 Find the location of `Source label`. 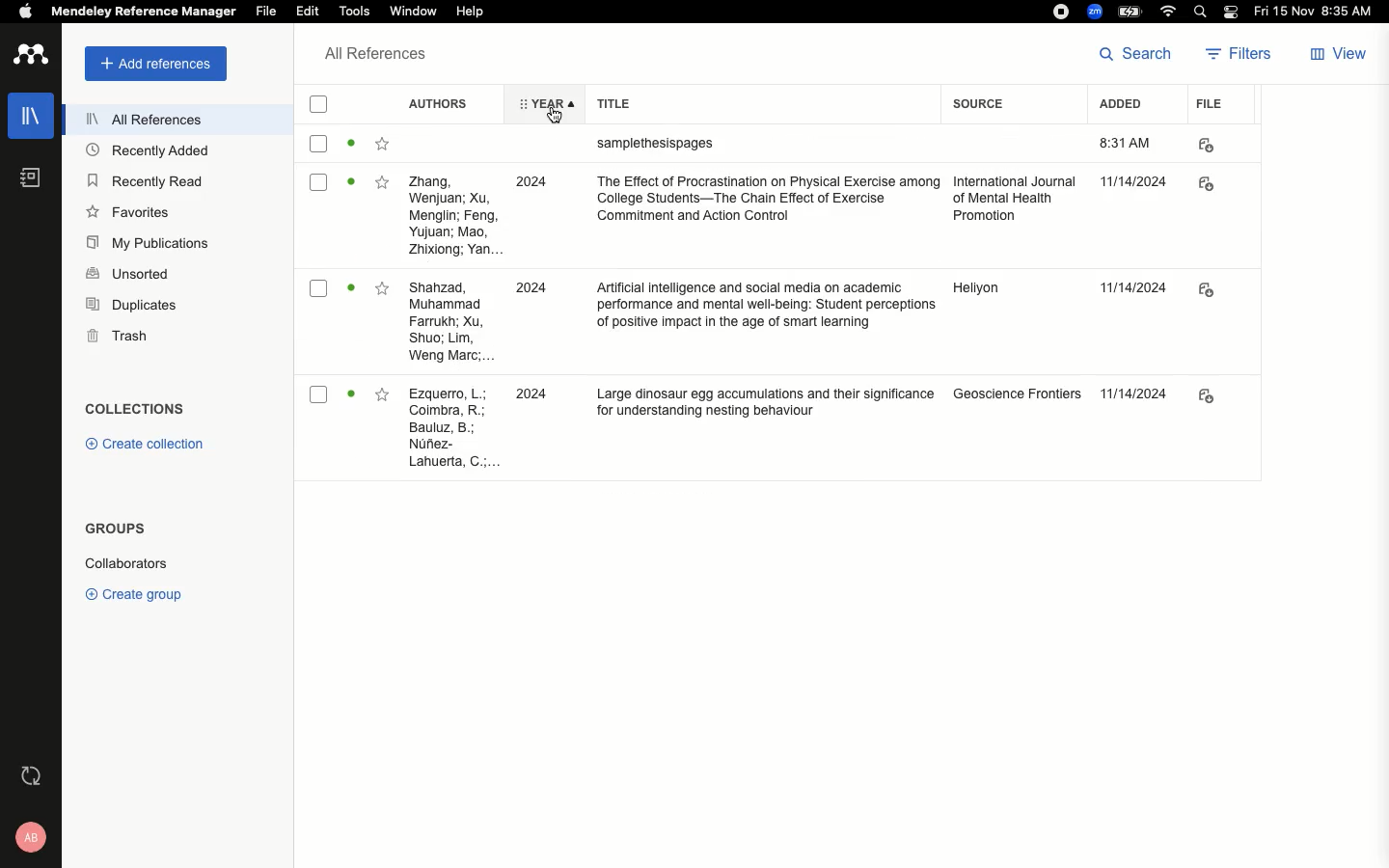

Source label is located at coordinates (1001, 110).